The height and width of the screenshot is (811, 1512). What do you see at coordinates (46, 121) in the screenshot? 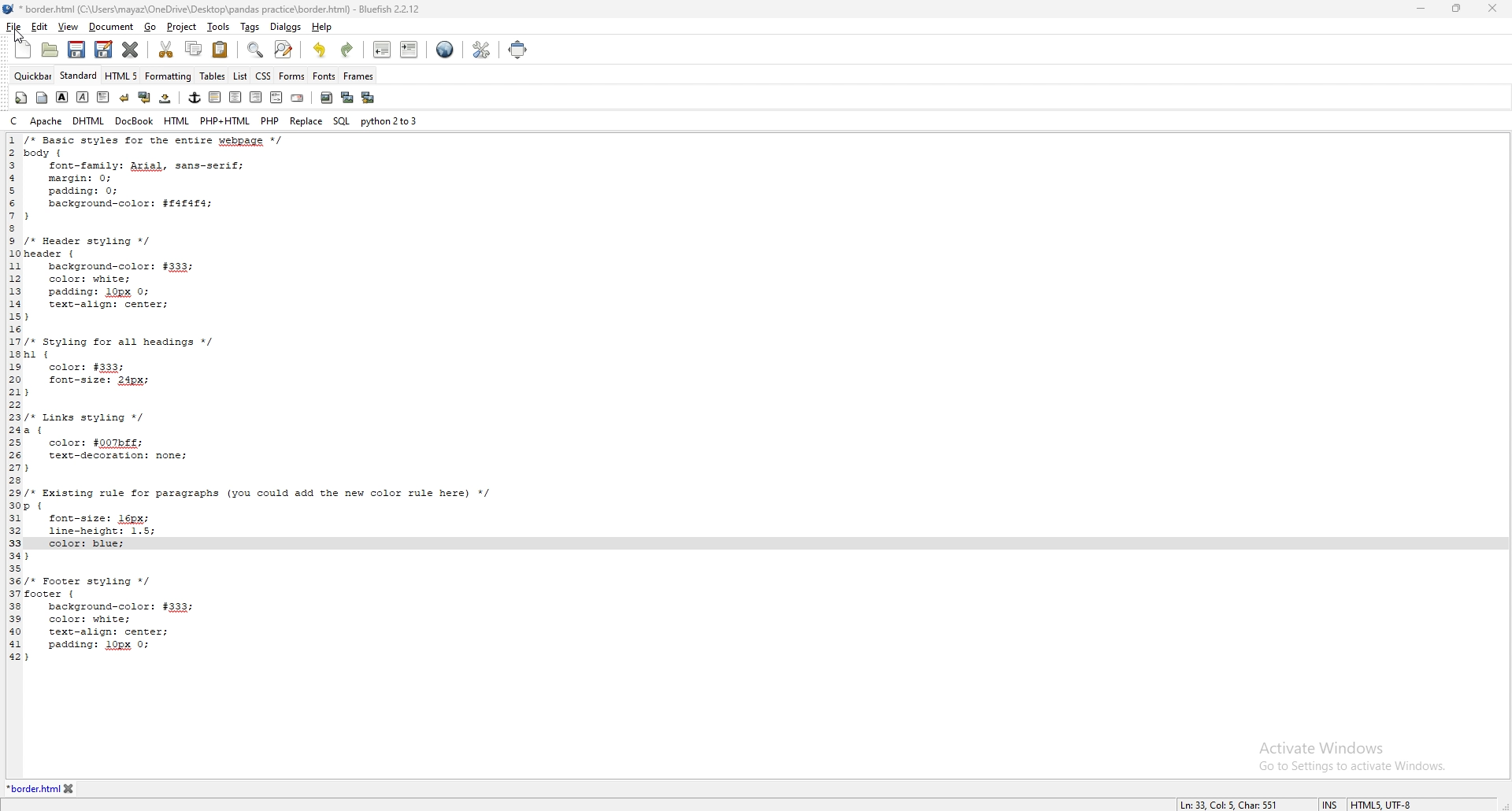
I see `apache` at bounding box center [46, 121].